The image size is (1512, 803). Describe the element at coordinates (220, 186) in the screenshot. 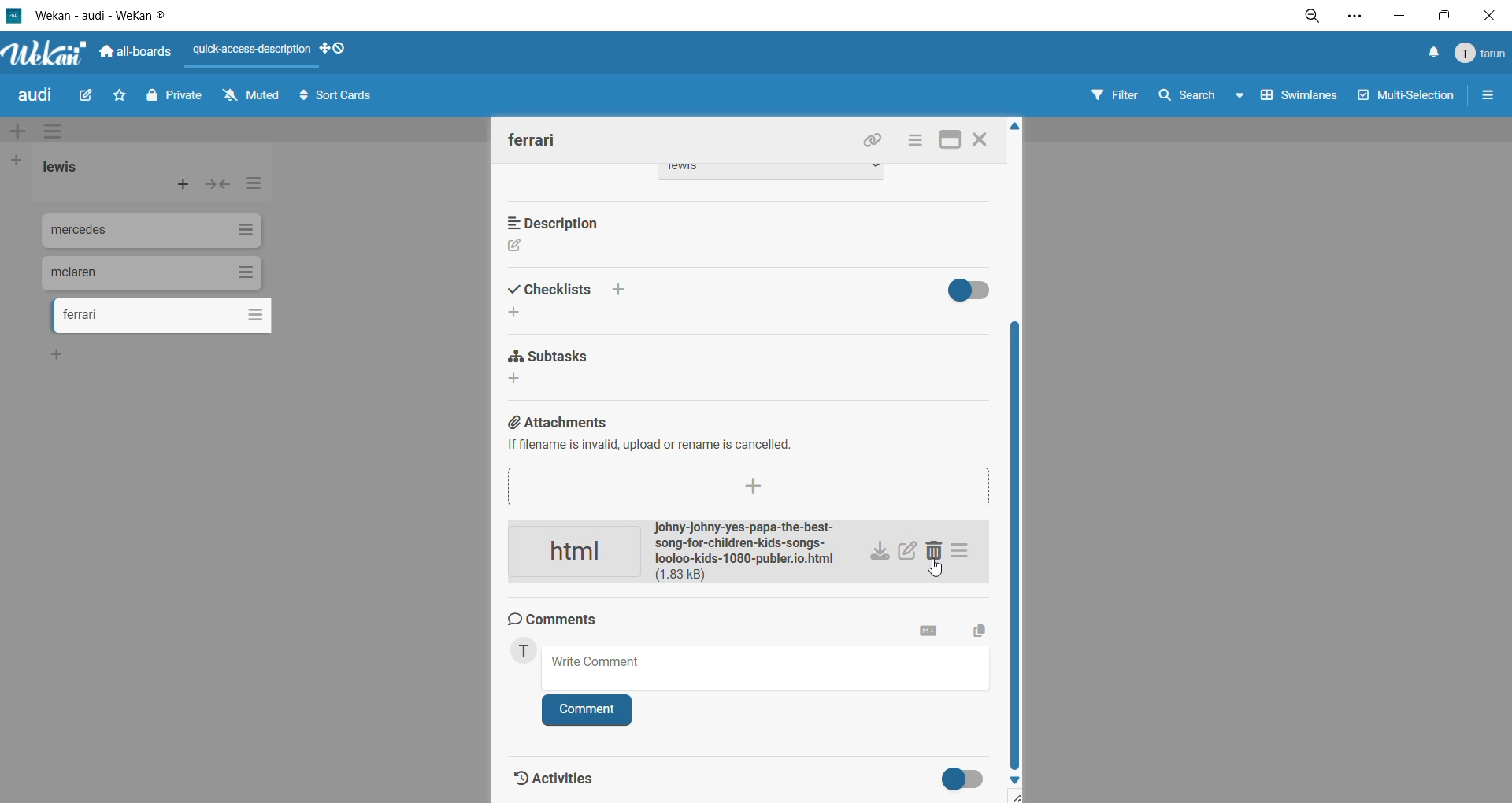

I see `collapse` at that location.